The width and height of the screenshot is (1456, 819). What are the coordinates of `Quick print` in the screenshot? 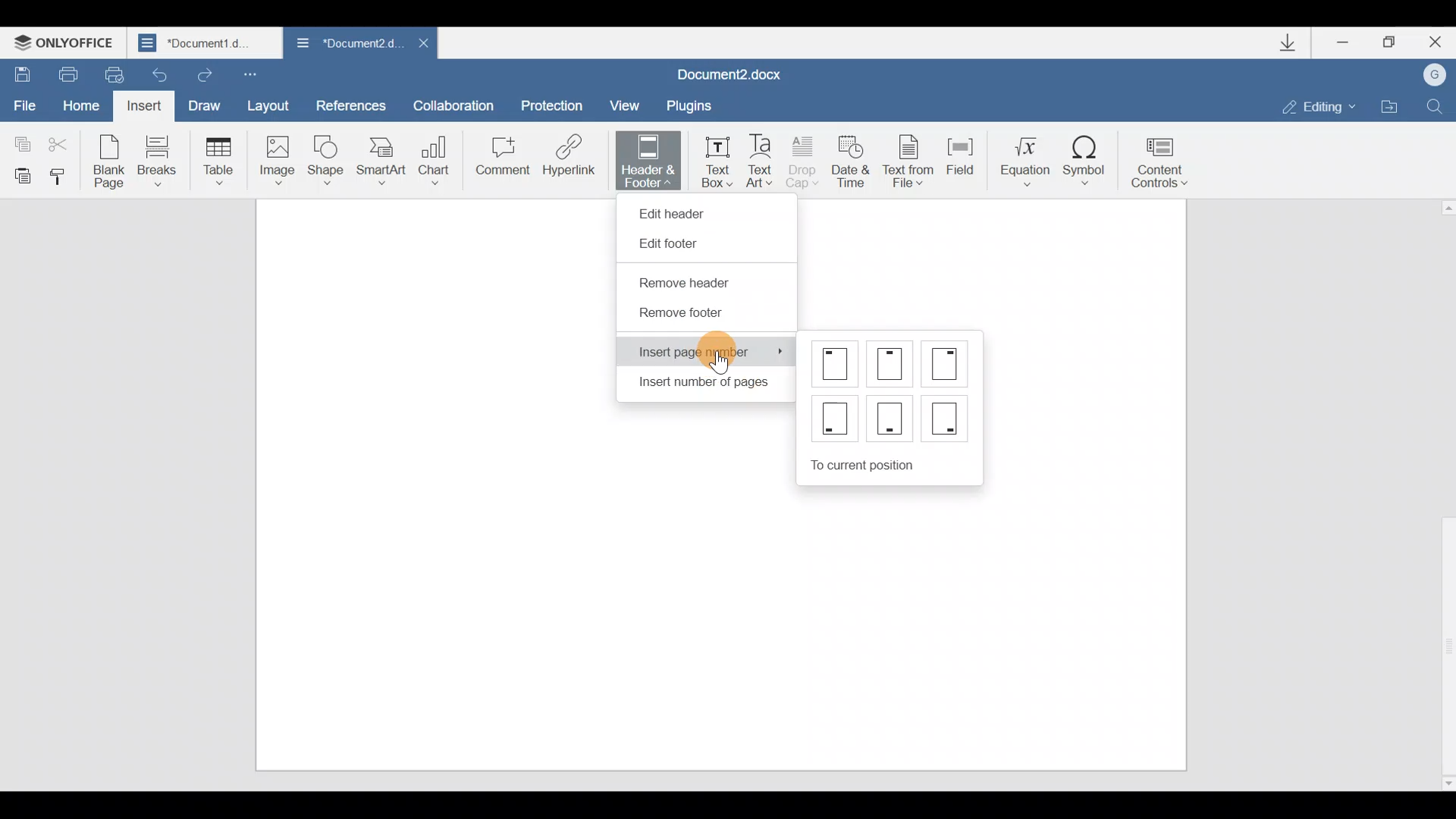 It's located at (115, 74).